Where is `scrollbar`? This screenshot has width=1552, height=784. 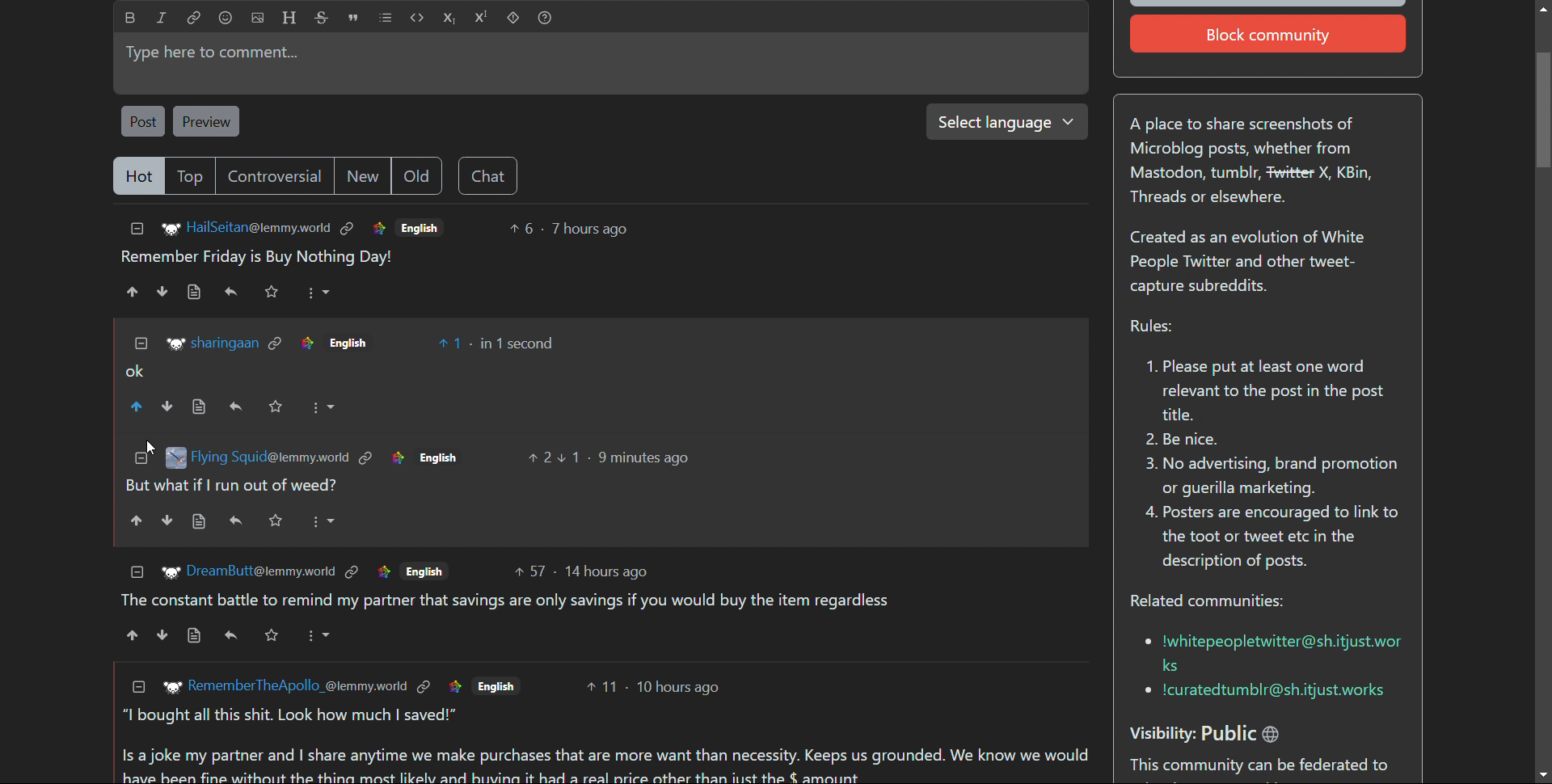 scrollbar is located at coordinates (1541, 386).